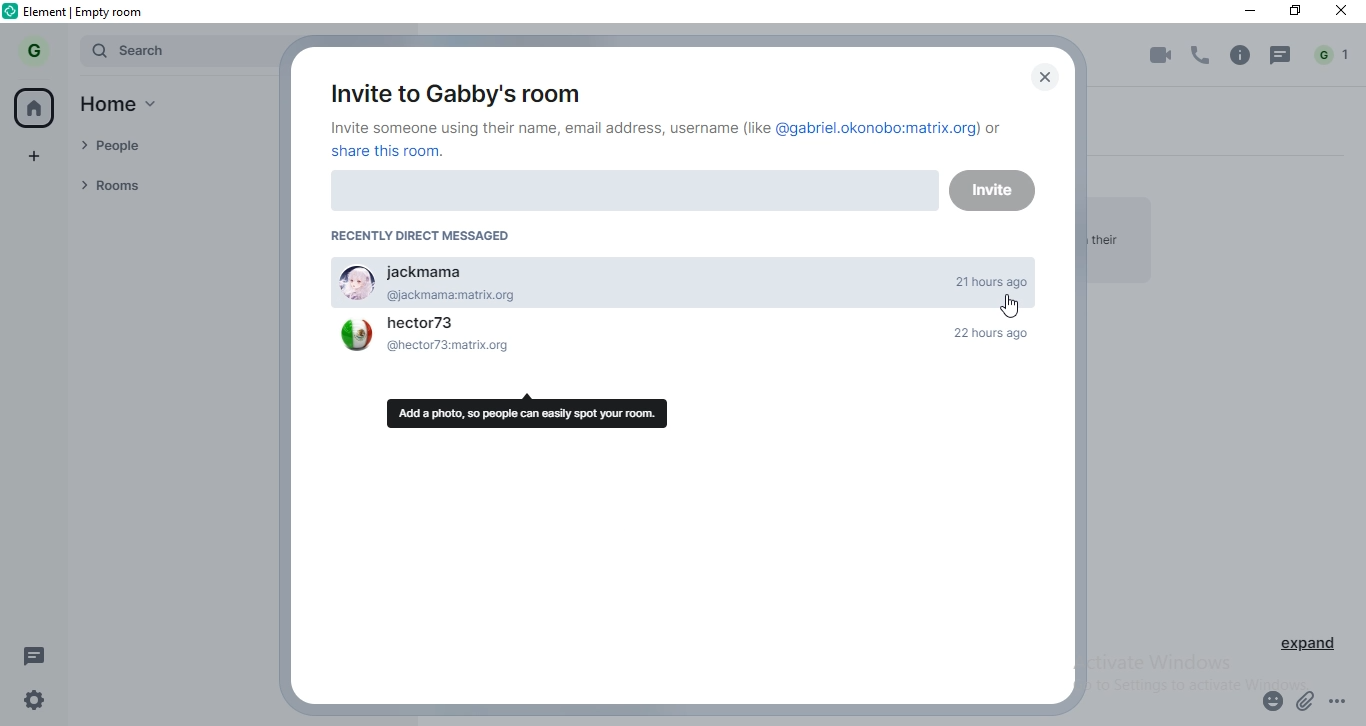 Image resolution: width=1366 pixels, height=726 pixels. Describe the element at coordinates (670, 140) in the screenshot. I see `text 1` at that location.